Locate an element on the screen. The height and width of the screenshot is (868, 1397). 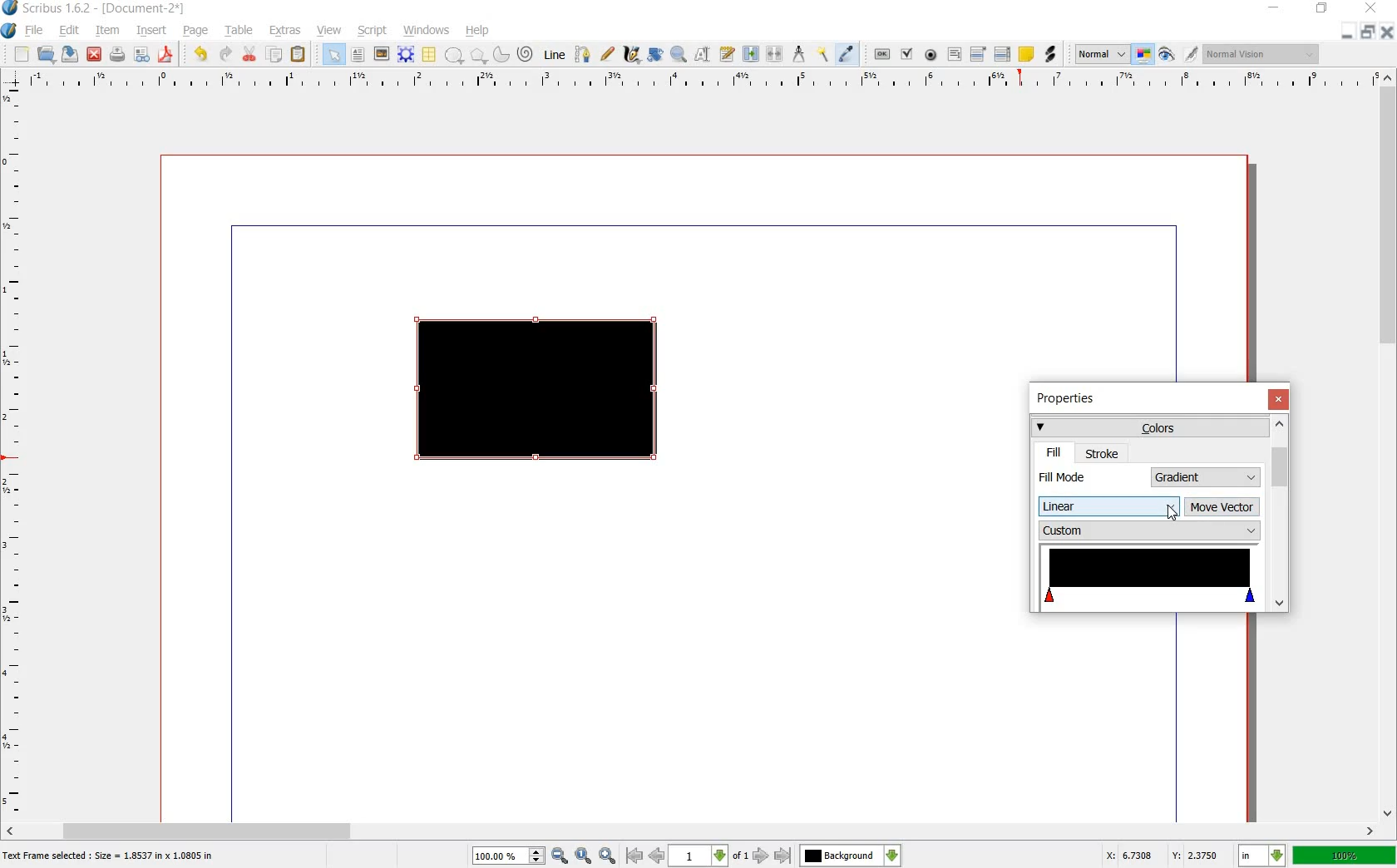
new is located at coordinates (22, 55).